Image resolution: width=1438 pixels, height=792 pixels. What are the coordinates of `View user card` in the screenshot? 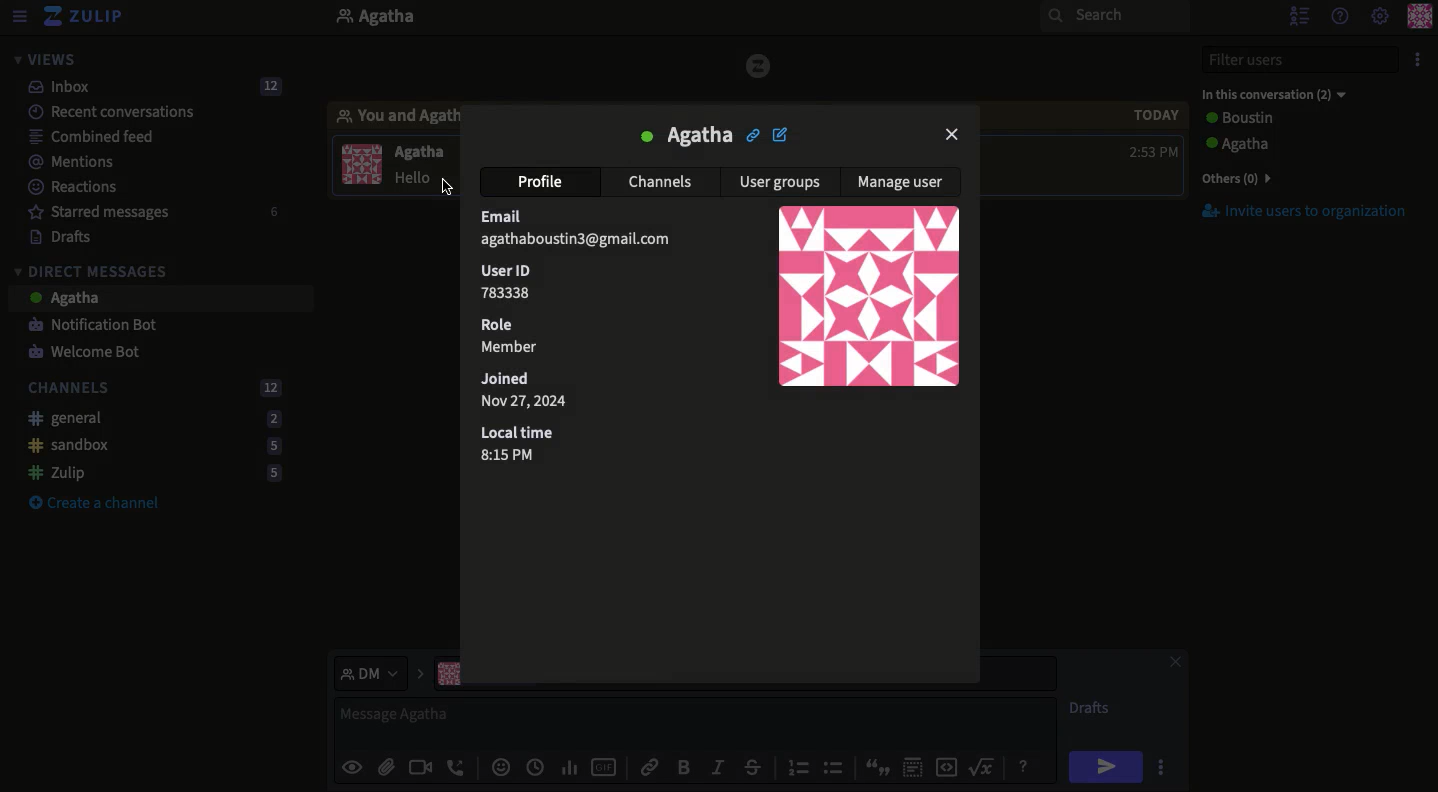 It's located at (361, 163).